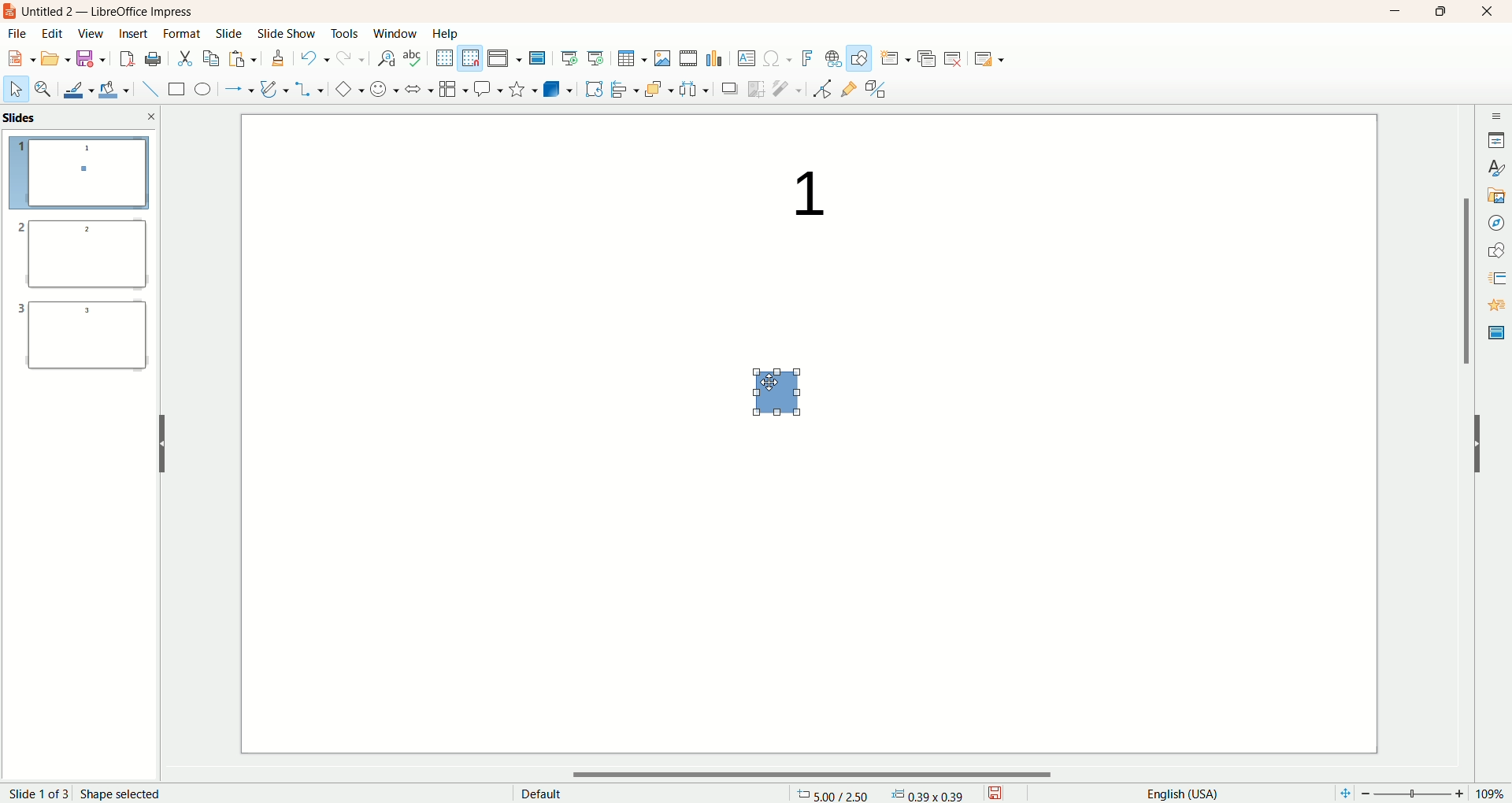 The image size is (1512, 803). I want to click on connectors, so click(309, 89).